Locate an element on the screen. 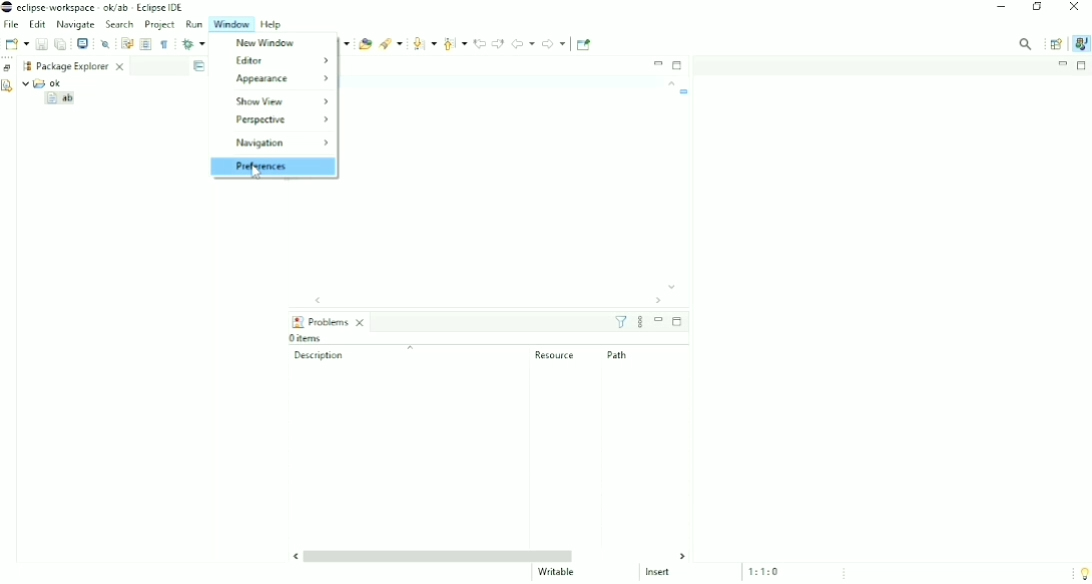  Previous Annotation is located at coordinates (456, 42).